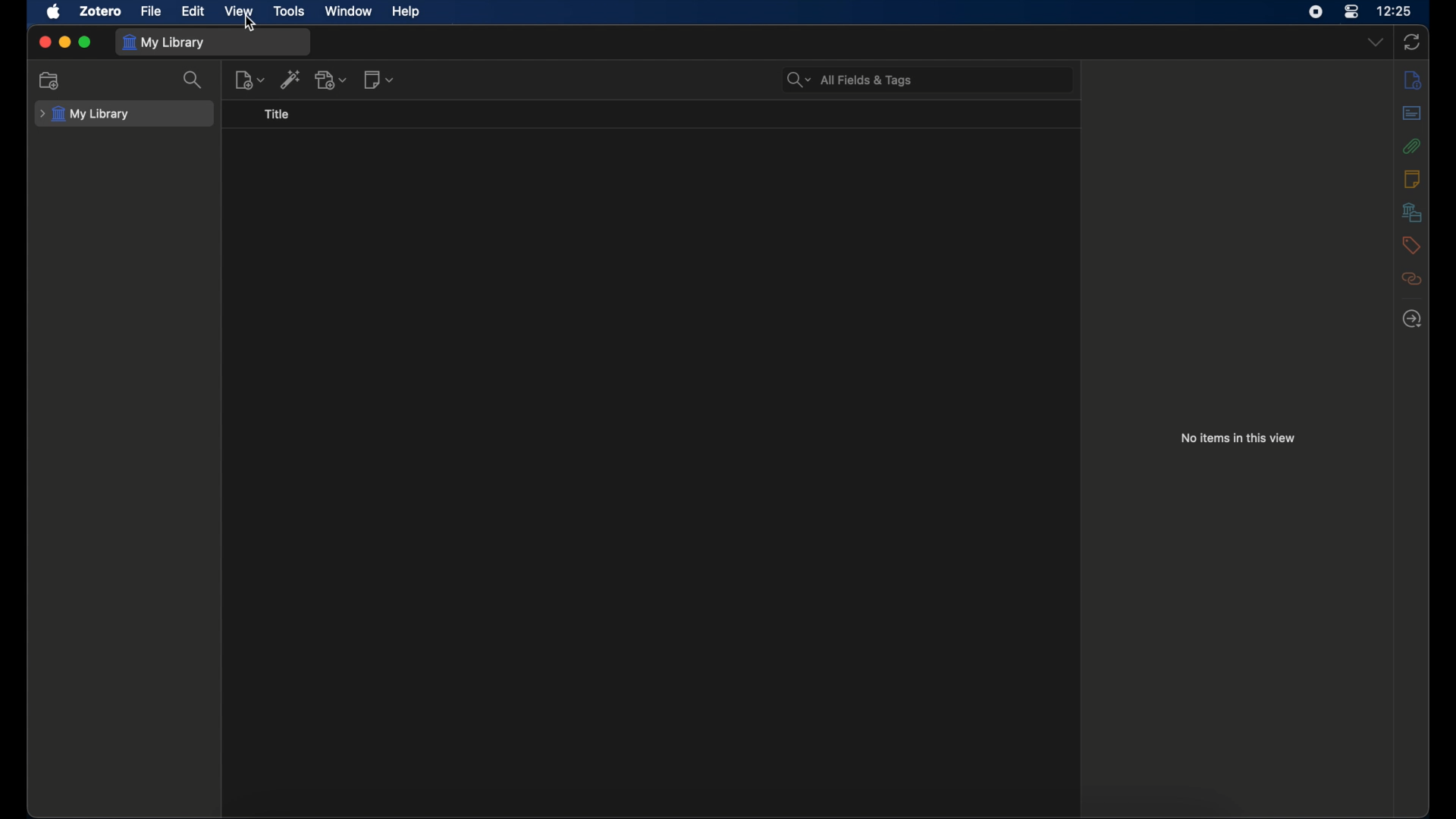  Describe the element at coordinates (1318, 11) in the screenshot. I see `screen recorder` at that location.